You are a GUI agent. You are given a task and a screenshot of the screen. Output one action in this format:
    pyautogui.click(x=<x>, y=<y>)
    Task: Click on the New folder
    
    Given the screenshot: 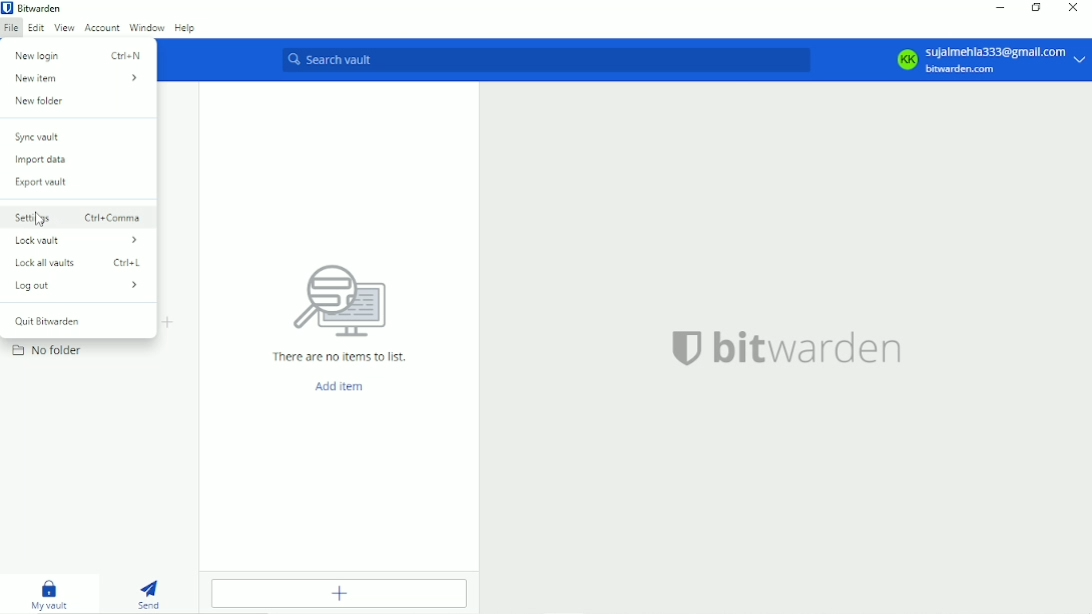 What is the action you would take?
    pyautogui.click(x=39, y=101)
    